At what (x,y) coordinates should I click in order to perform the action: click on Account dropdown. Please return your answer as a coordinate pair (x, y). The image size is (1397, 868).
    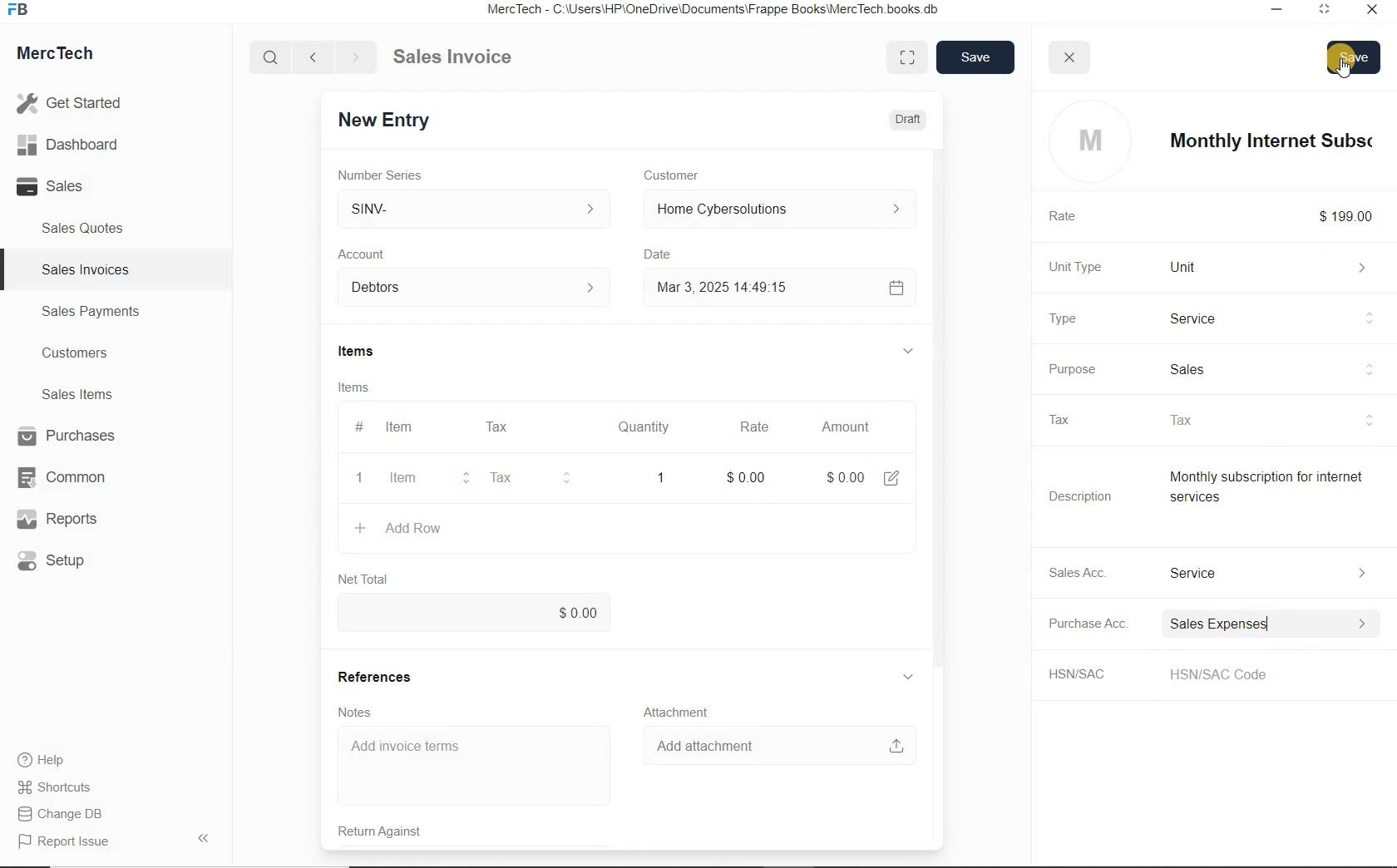
    Looking at the image, I should click on (474, 289).